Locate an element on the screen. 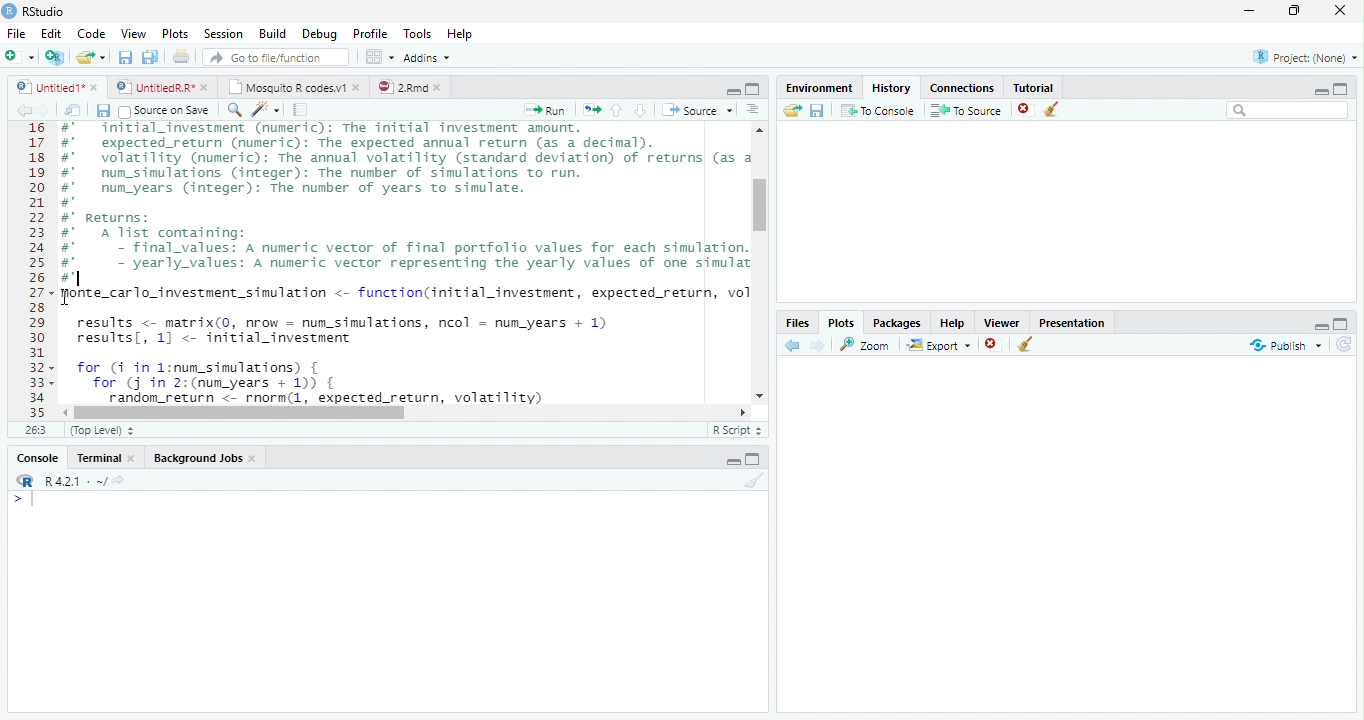 The image size is (1364, 720). Show document outline is located at coordinates (753, 111).